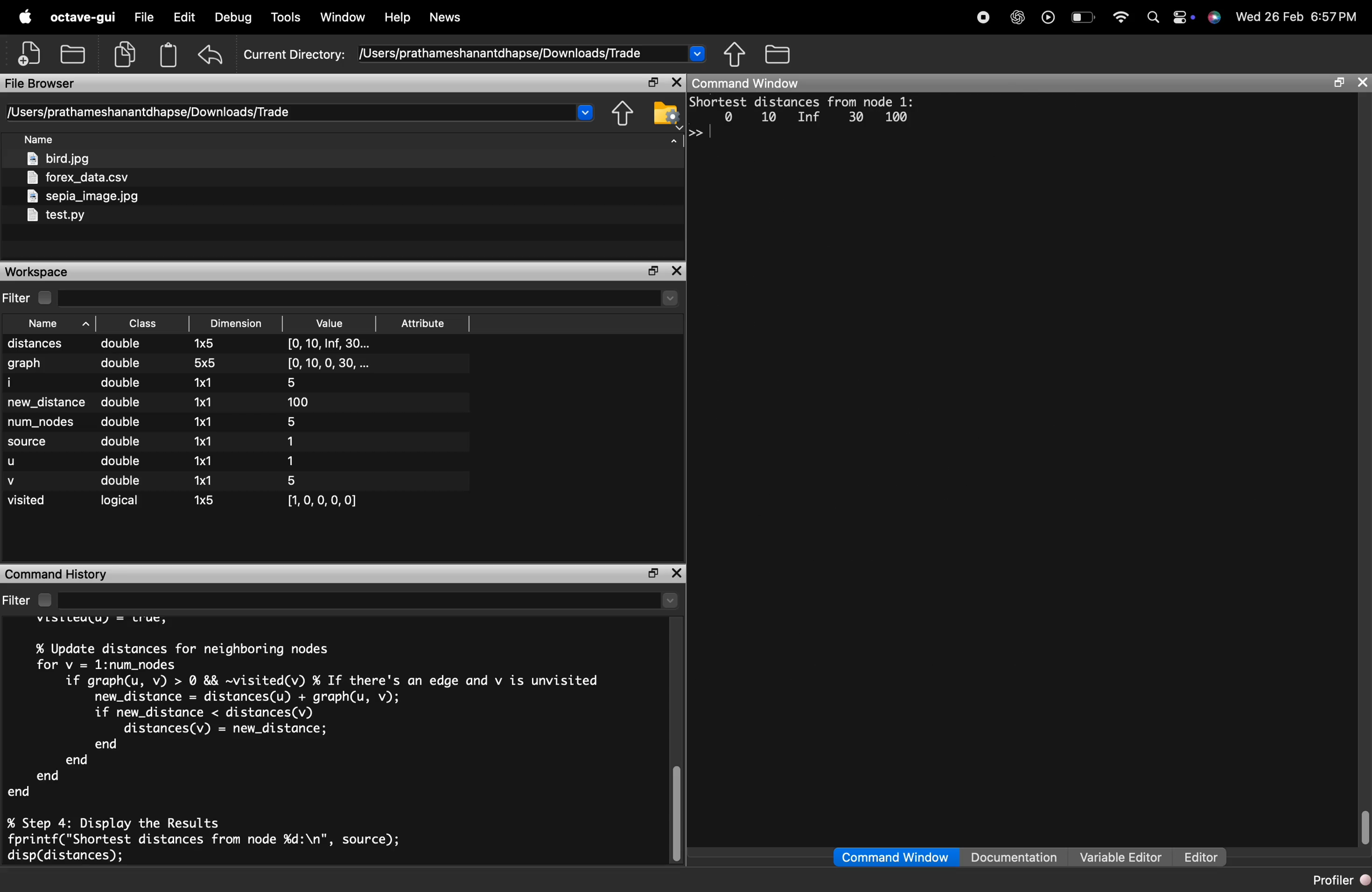  Describe the element at coordinates (678, 812) in the screenshot. I see `vertical scrollbar` at that location.